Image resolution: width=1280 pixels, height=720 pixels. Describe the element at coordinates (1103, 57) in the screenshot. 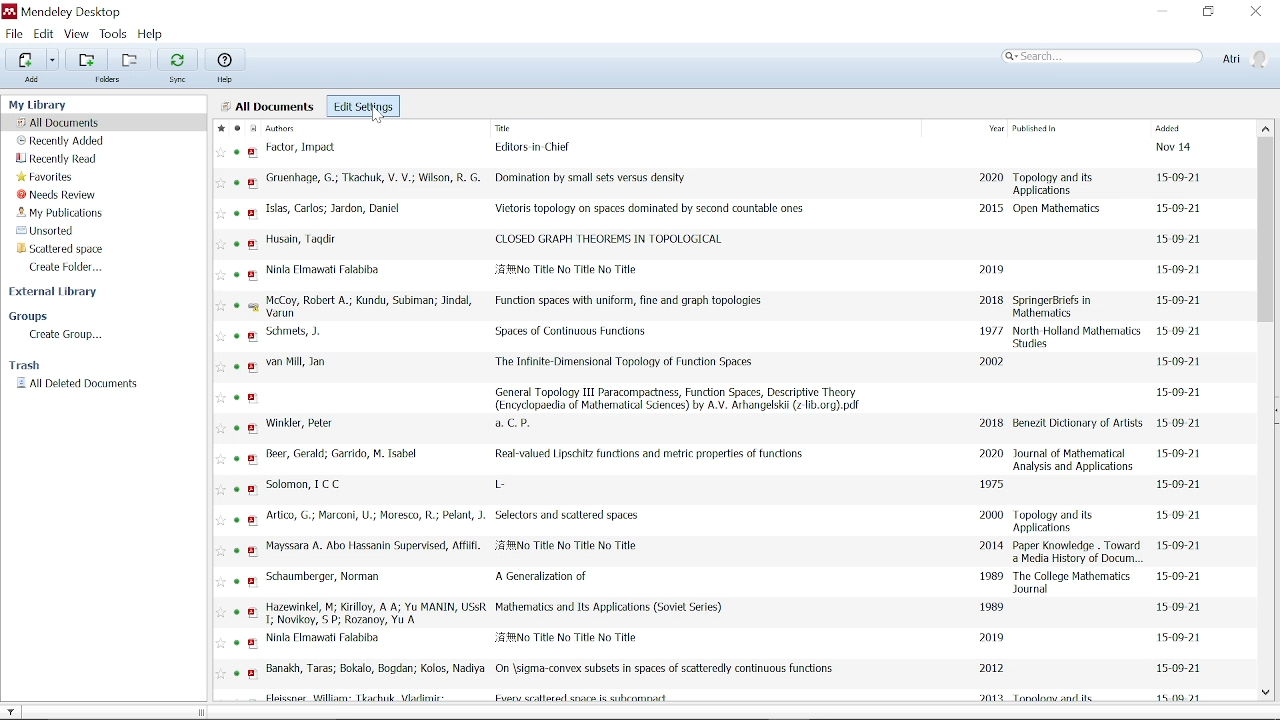

I see `Search` at that location.